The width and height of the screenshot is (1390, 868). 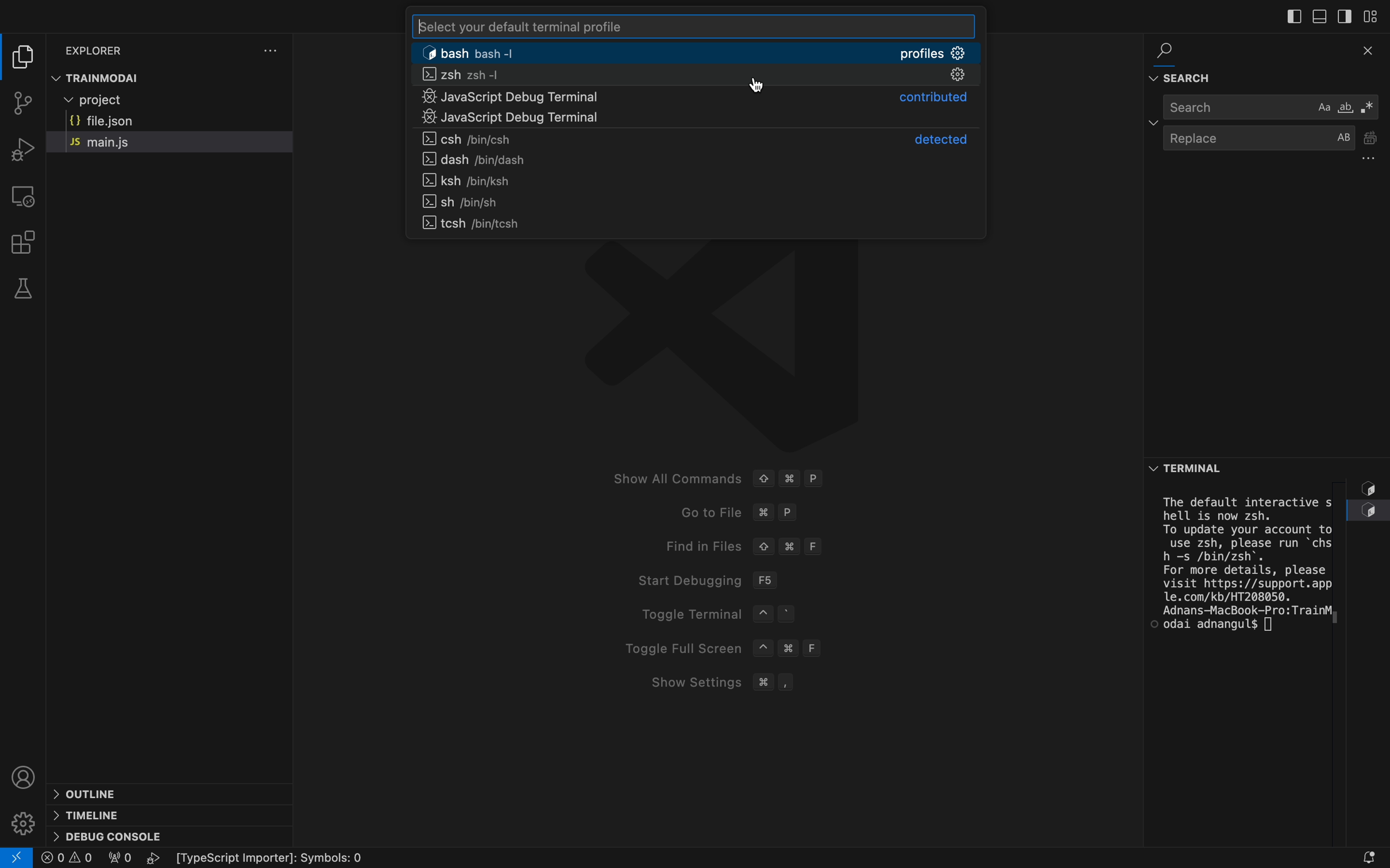 I want to click on search, so click(x=1266, y=106).